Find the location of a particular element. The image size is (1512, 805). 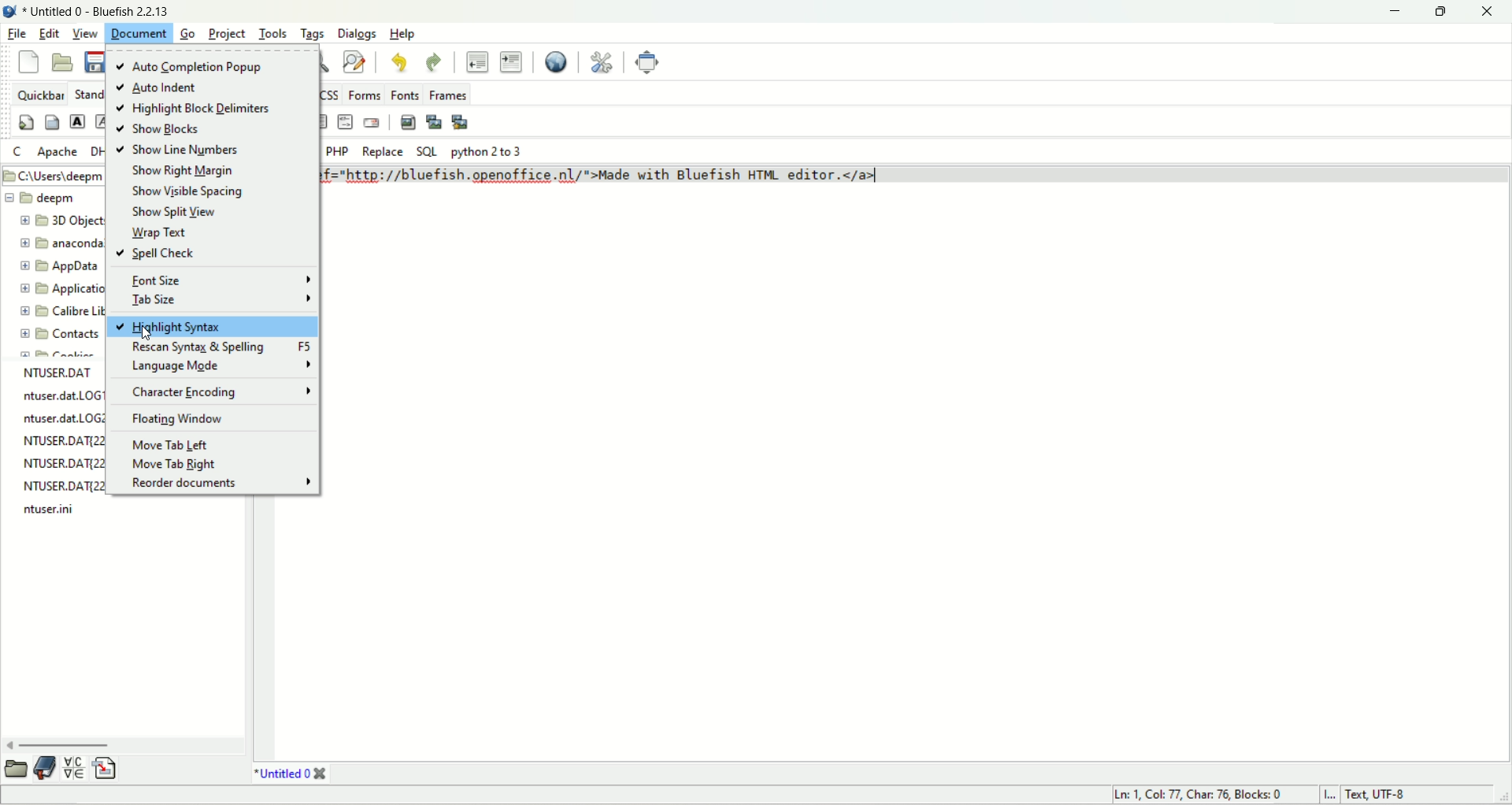

auto indent is located at coordinates (164, 88).